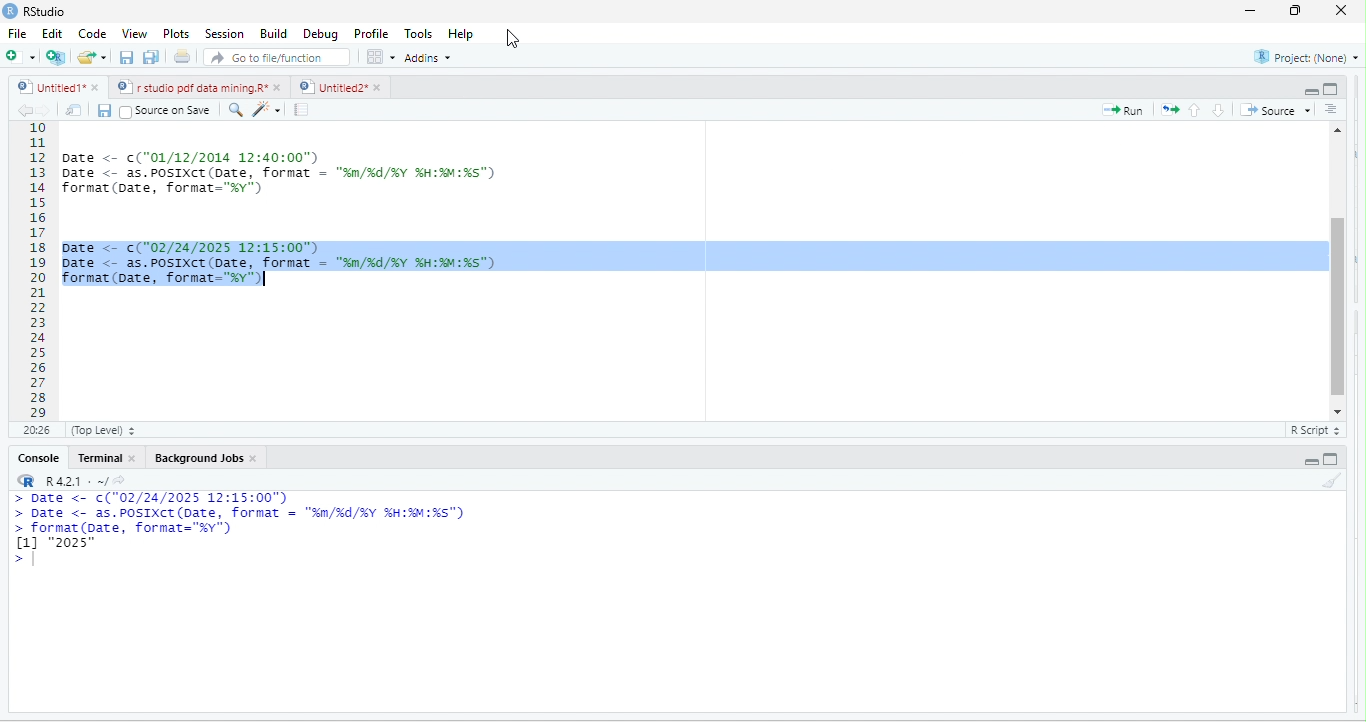 This screenshot has height=722, width=1366. I want to click on 181, so click(35, 431).